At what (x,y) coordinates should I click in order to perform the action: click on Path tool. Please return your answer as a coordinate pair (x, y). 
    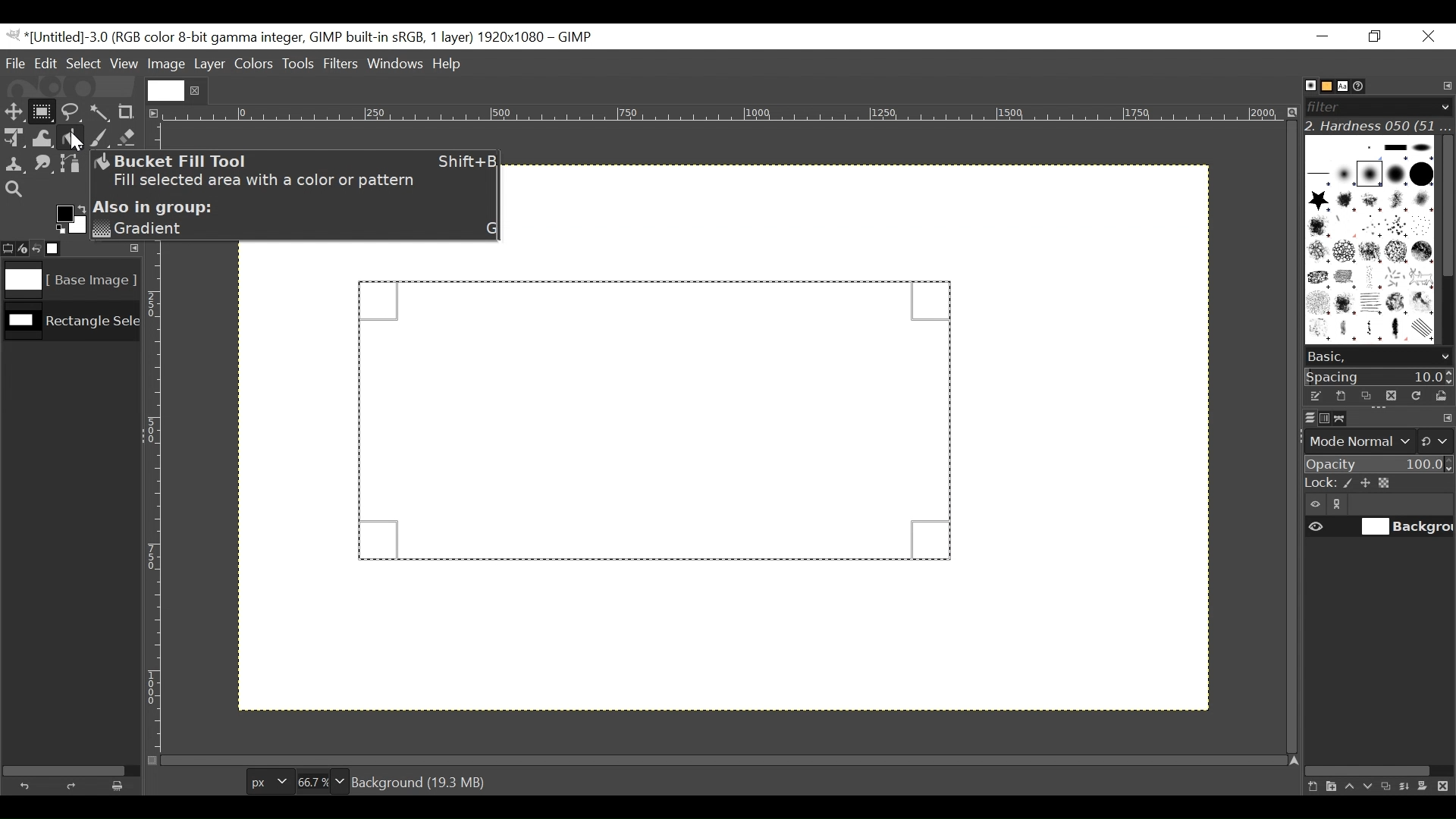
    Looking at the image, I should click on (72, 165).